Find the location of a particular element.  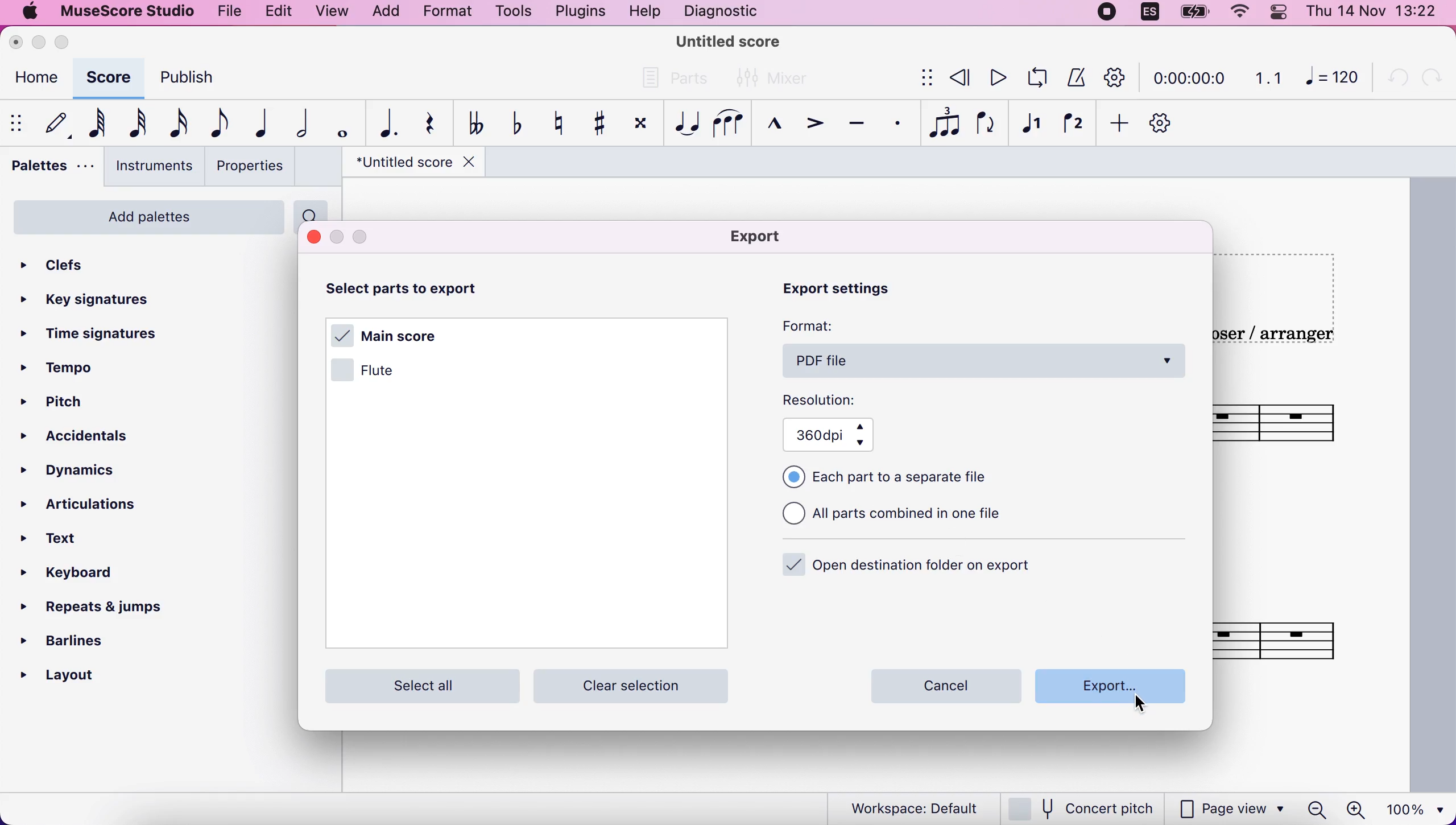

recording stopped is located at coordinates (1103, 14).